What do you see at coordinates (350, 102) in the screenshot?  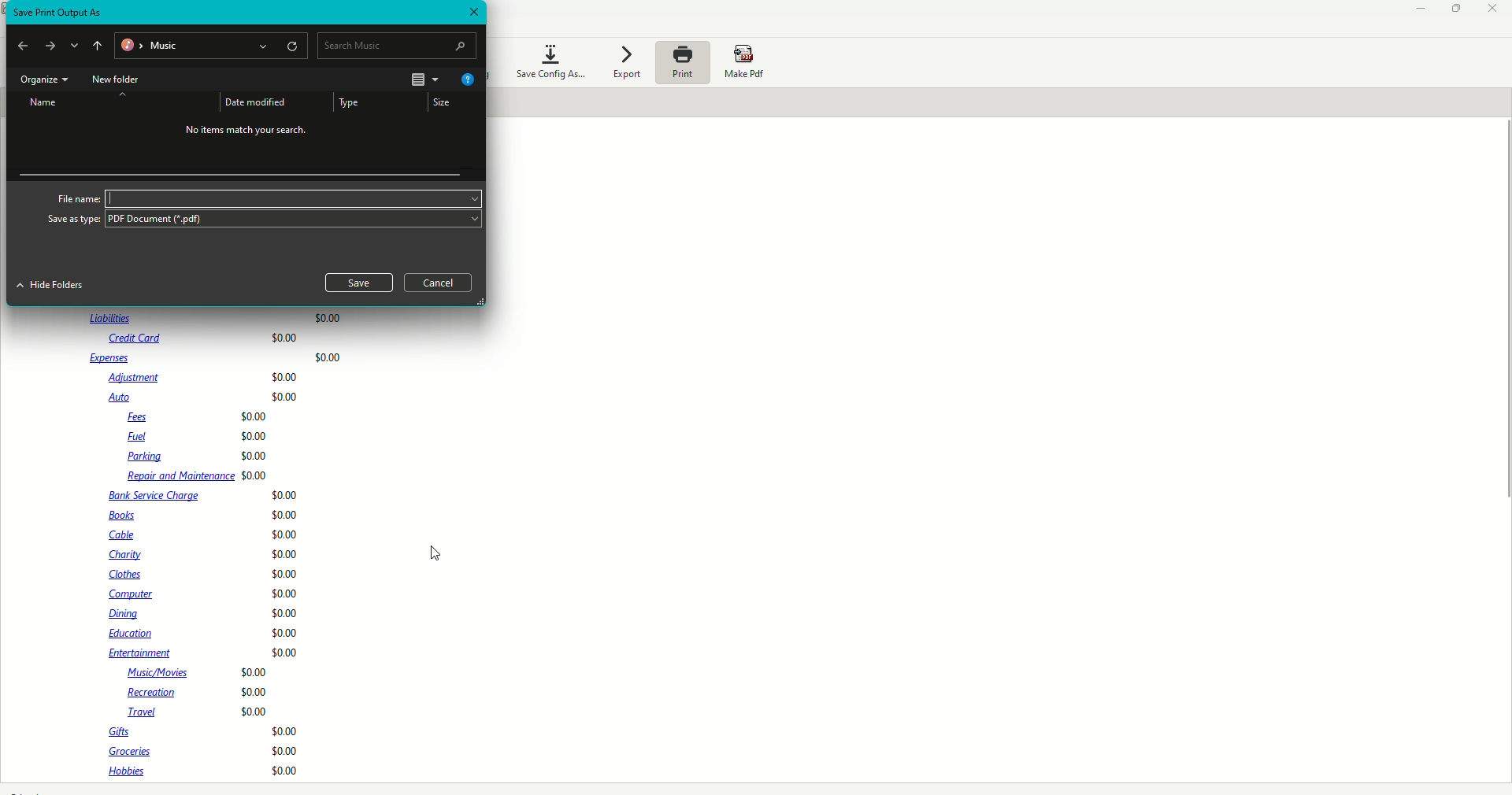 I see `Type` at bounding box center [350, 102].